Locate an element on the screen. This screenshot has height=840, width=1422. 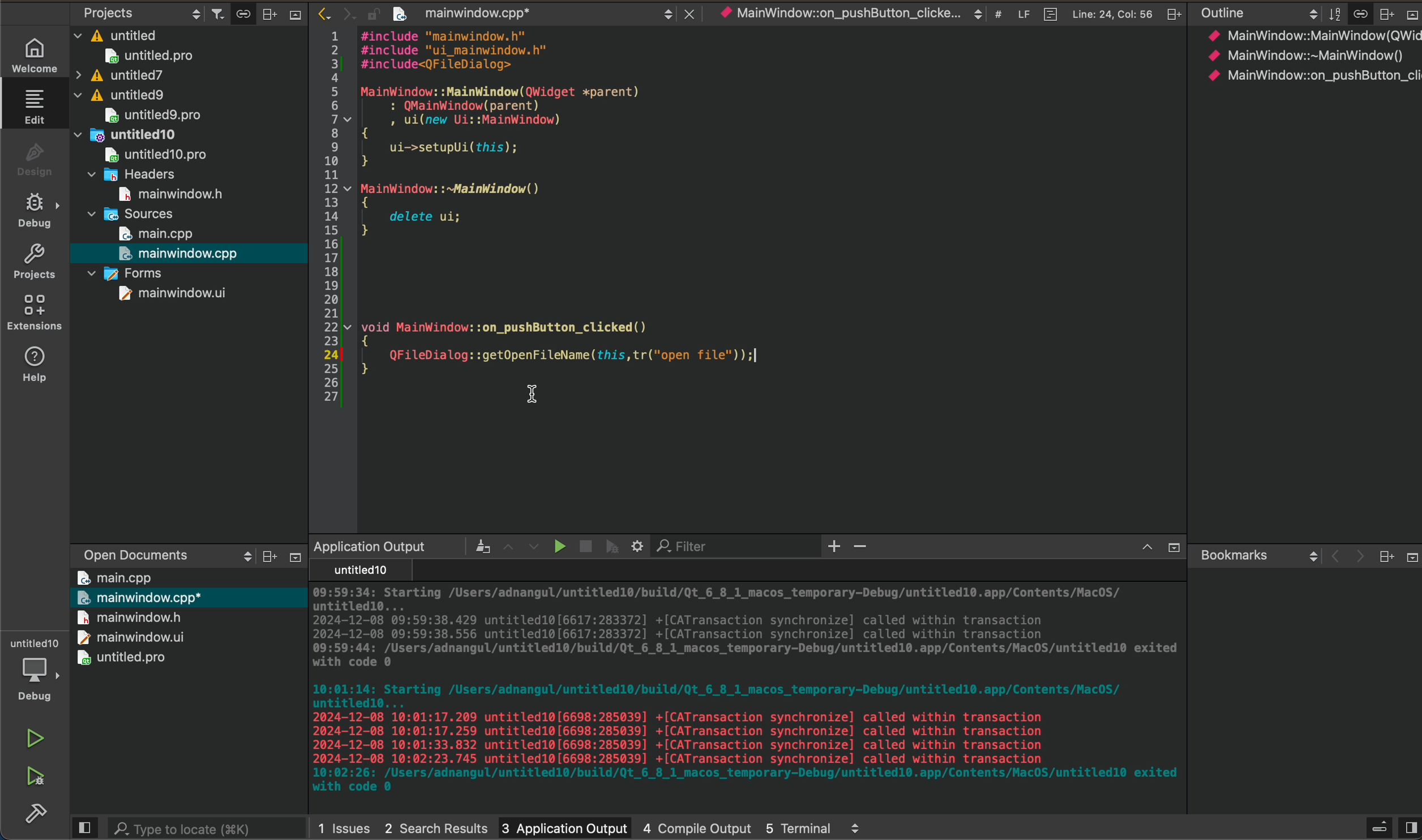
mainwindow.cpp is located at coordinates (181, 253).